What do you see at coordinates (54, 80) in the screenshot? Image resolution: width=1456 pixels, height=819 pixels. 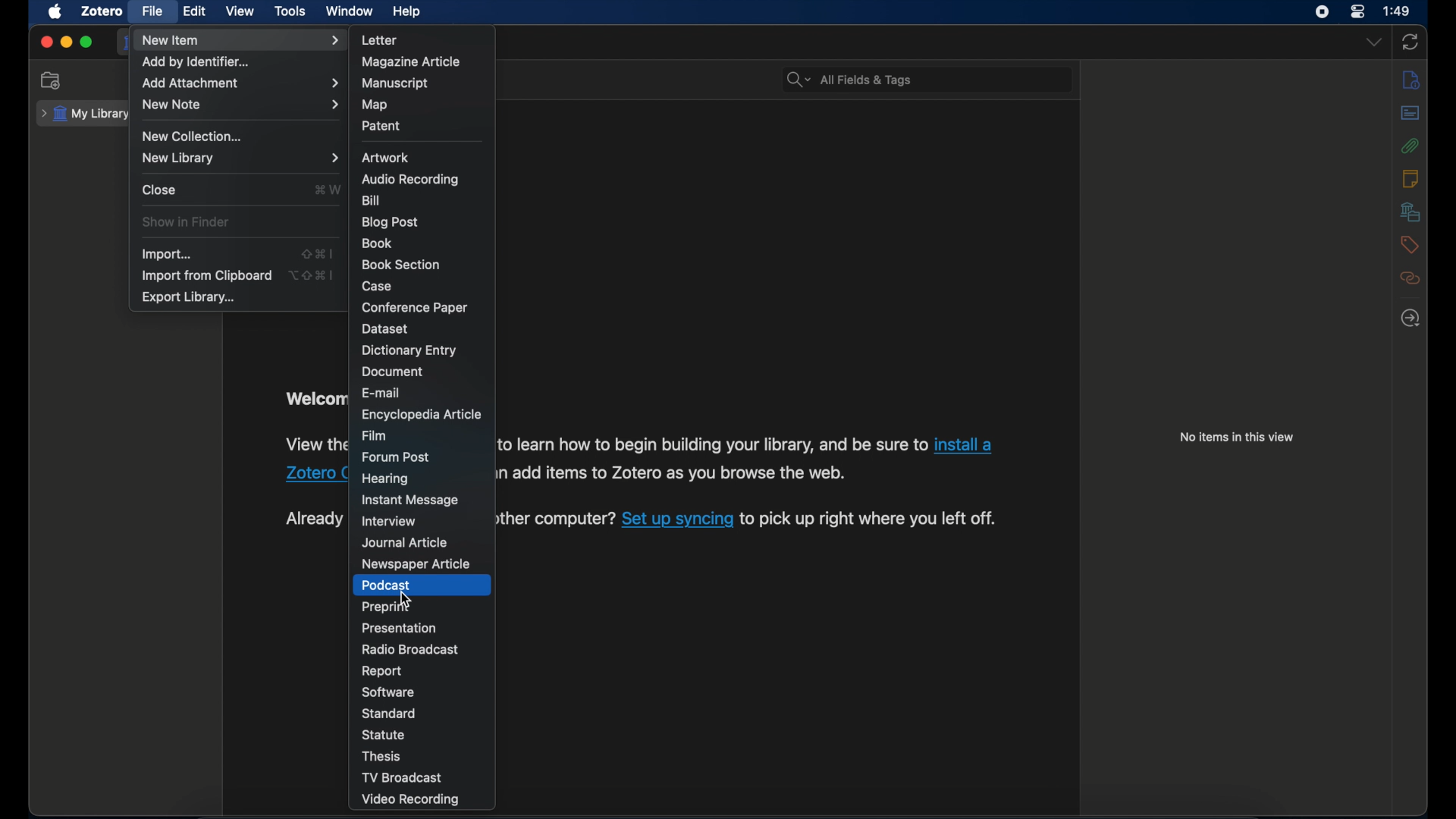 I see `new collection` at bounding box center [54, 80].